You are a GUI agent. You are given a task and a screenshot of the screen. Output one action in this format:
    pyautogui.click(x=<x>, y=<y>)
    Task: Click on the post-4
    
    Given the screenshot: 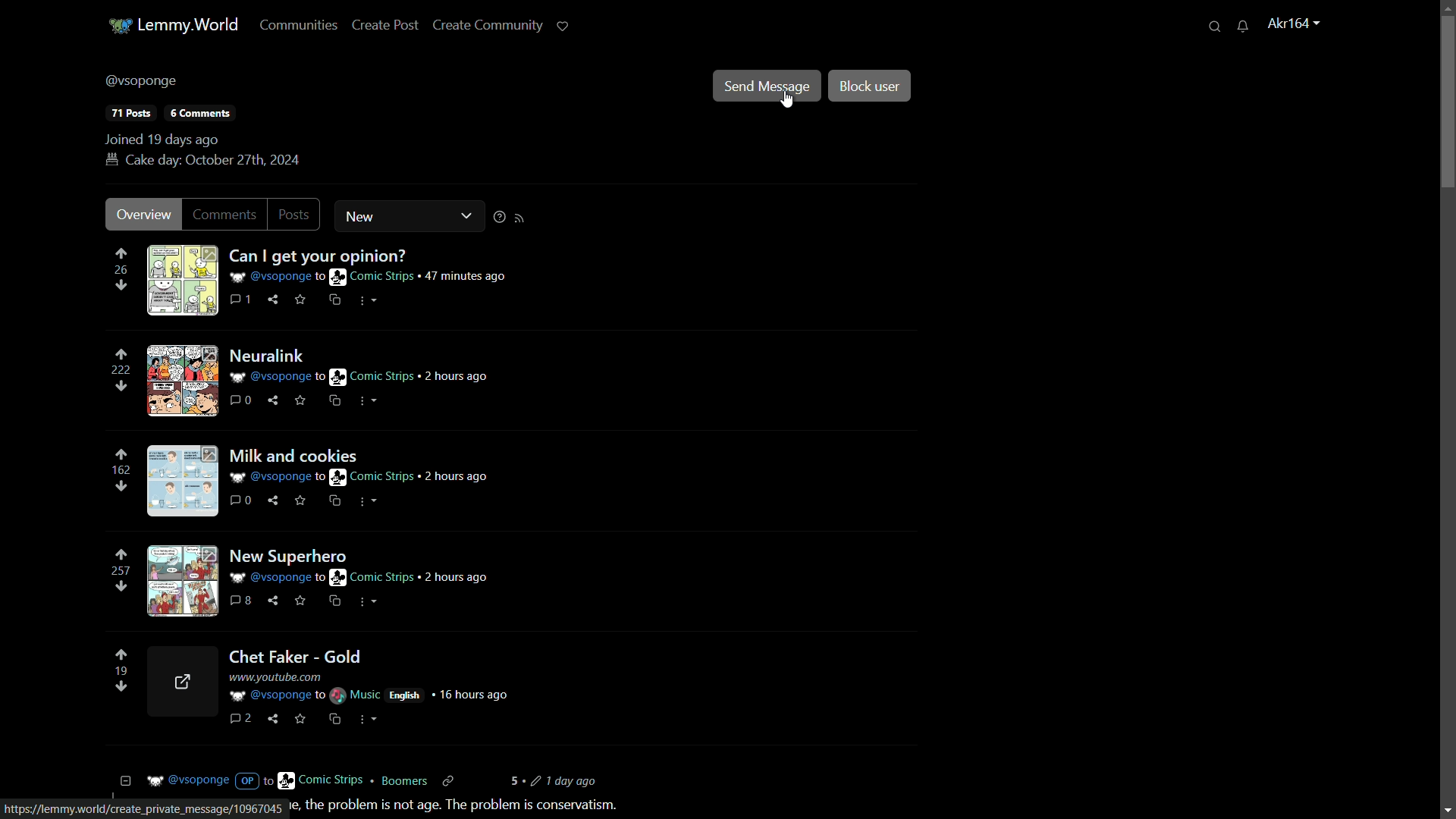 What is the action you would take?
    pyautogui.click(x=294, y=654)
    